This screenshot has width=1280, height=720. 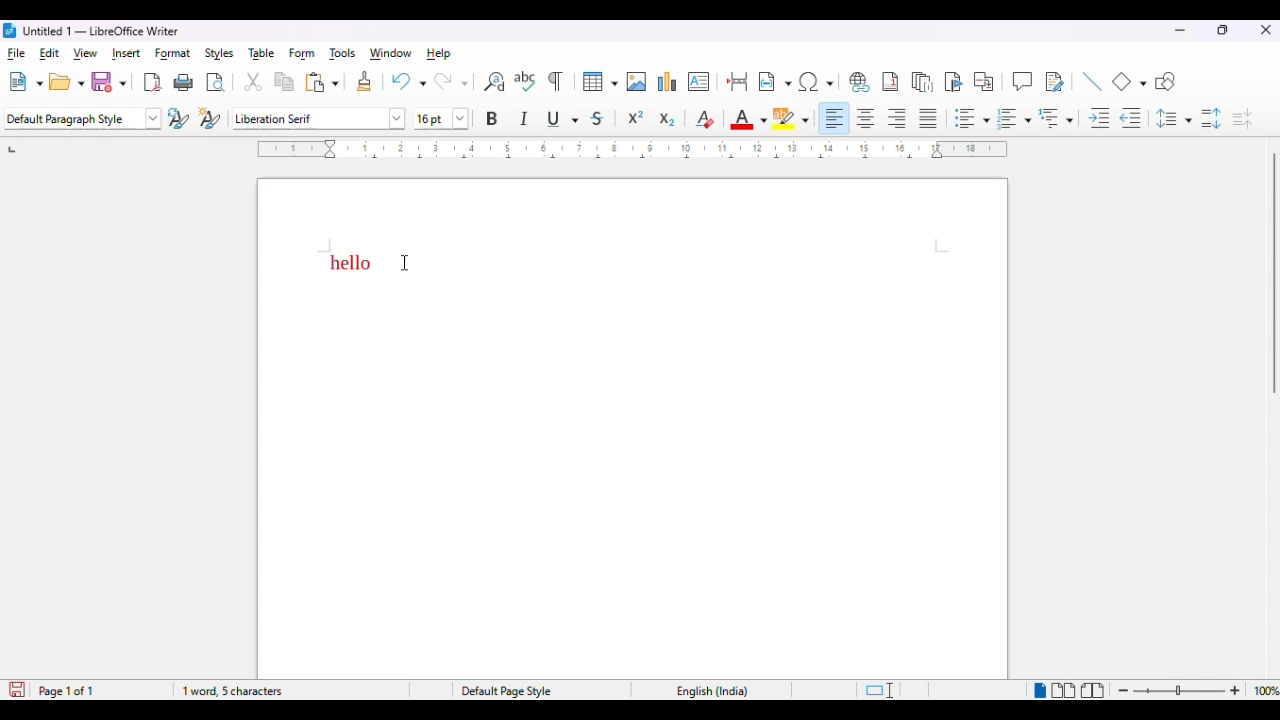 What do you see at coordinates (524, 117) in the screenshot?
I see `italic` at bounding box center [524, 117].